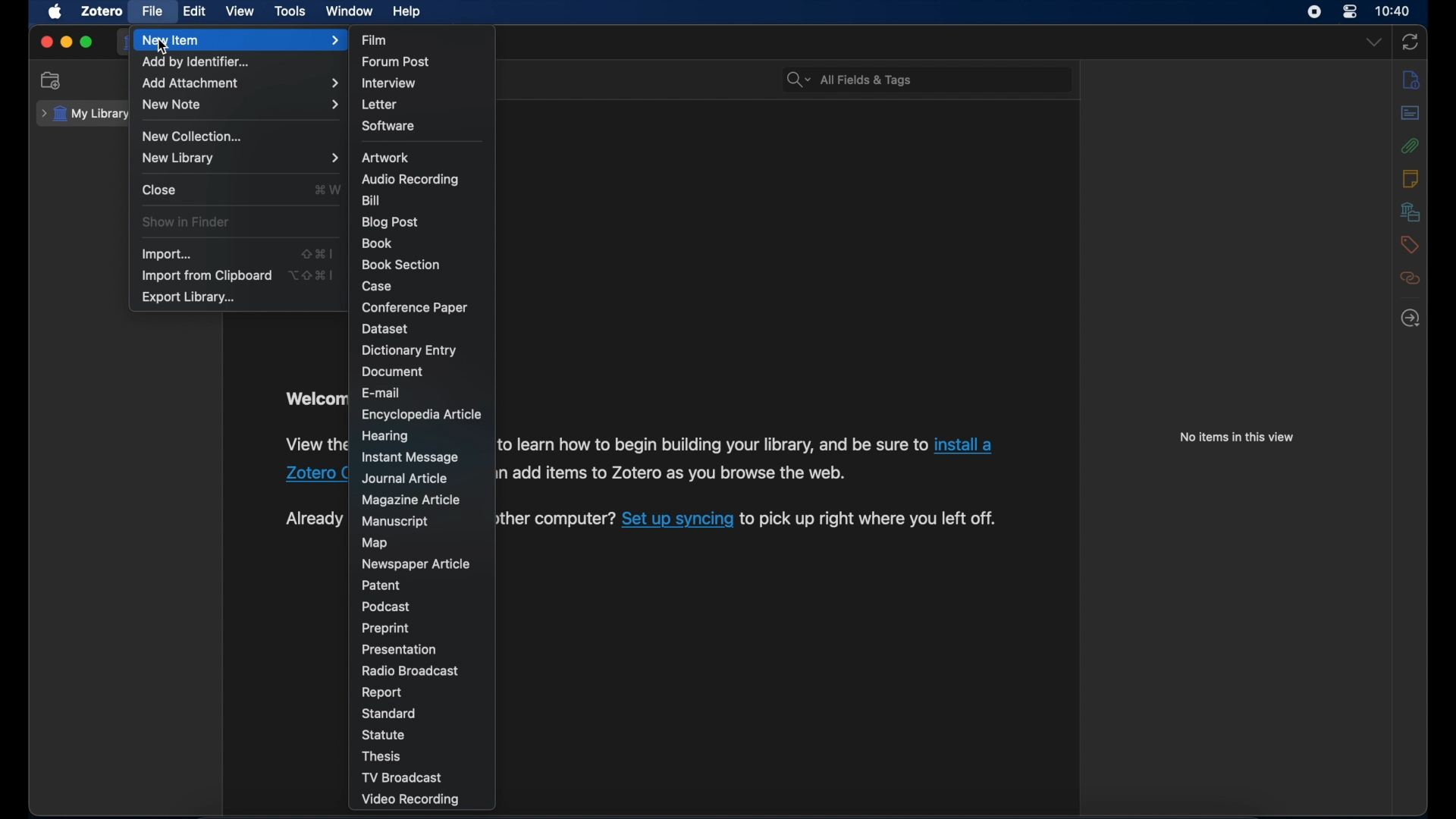  I want to click on newspaper article, so click(415, 563).